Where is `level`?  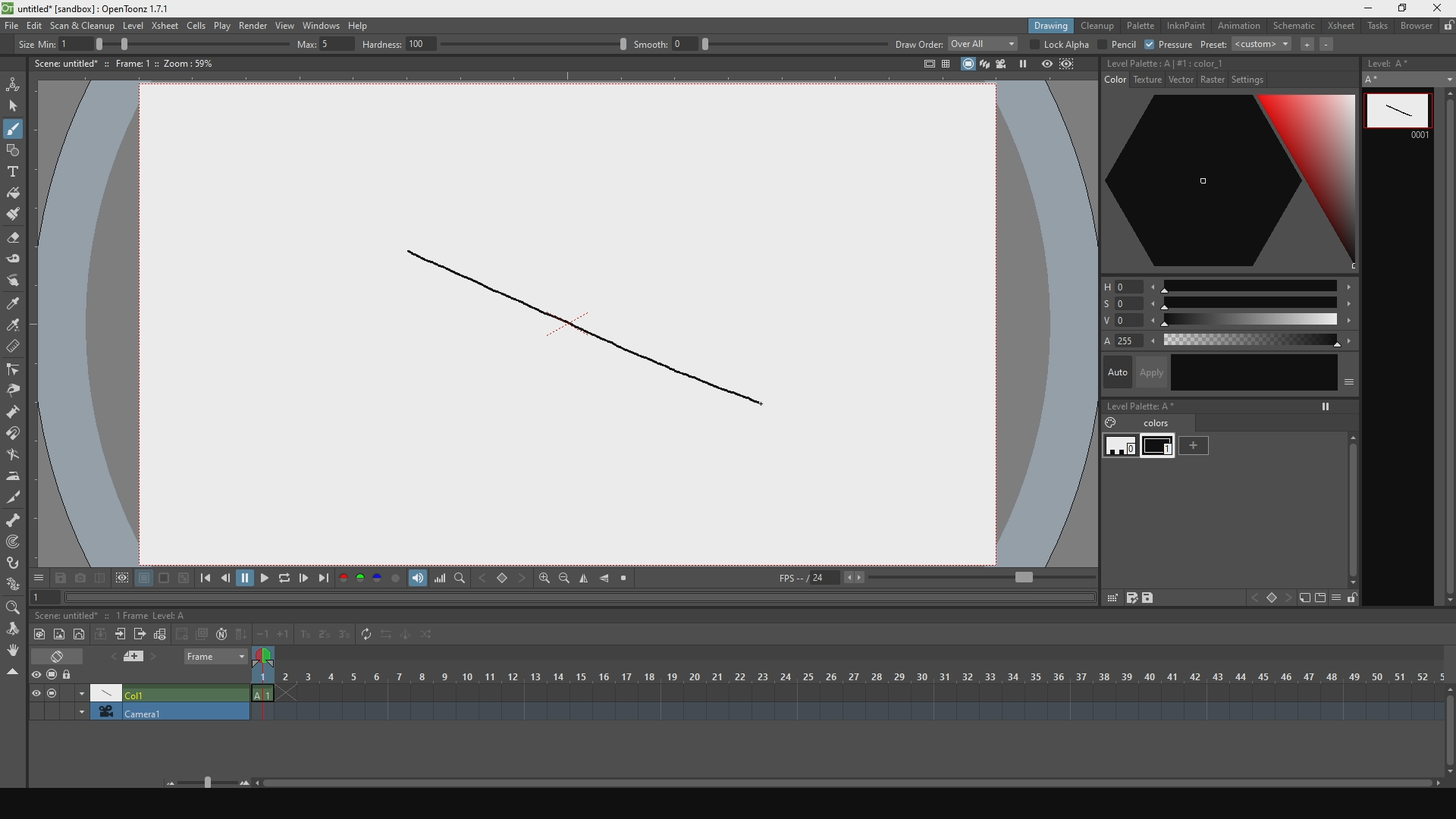 level is located at coordinates (133, 25).